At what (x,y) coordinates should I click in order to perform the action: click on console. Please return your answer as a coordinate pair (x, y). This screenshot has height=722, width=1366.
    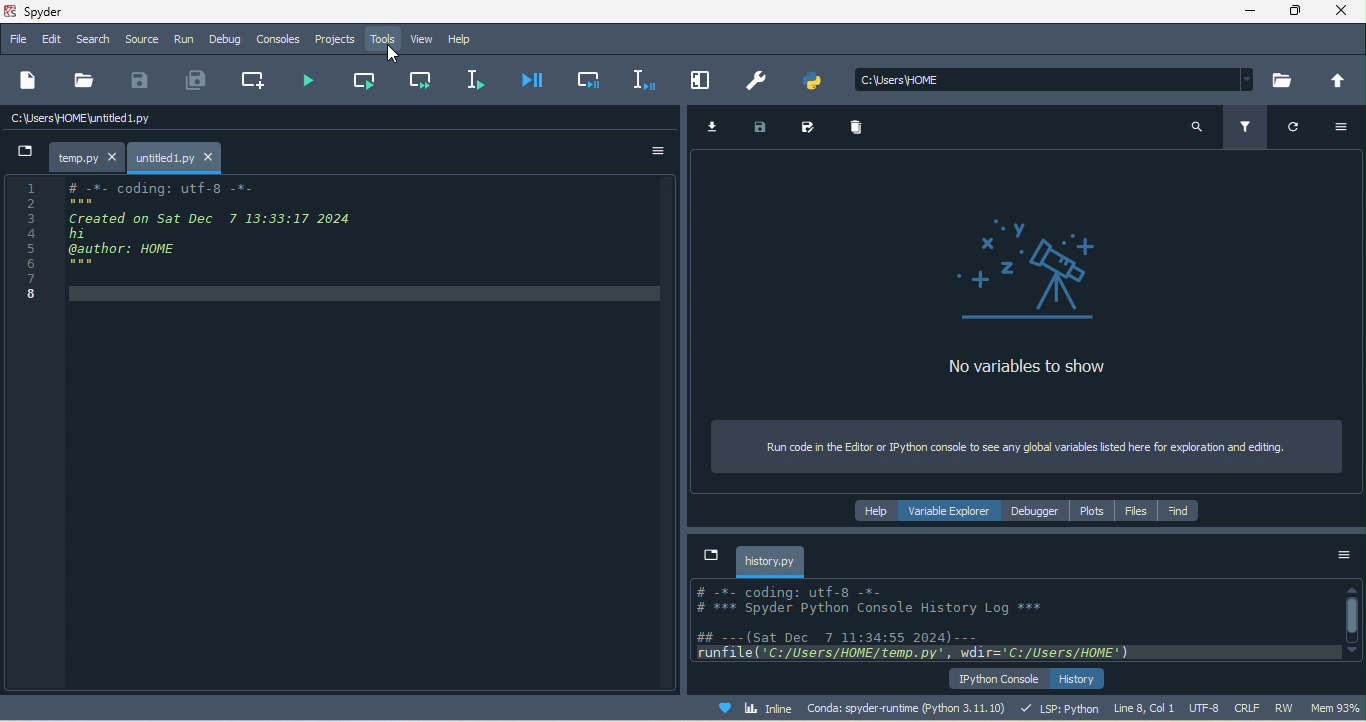
    Looking at the image, I should click on (280, 39).